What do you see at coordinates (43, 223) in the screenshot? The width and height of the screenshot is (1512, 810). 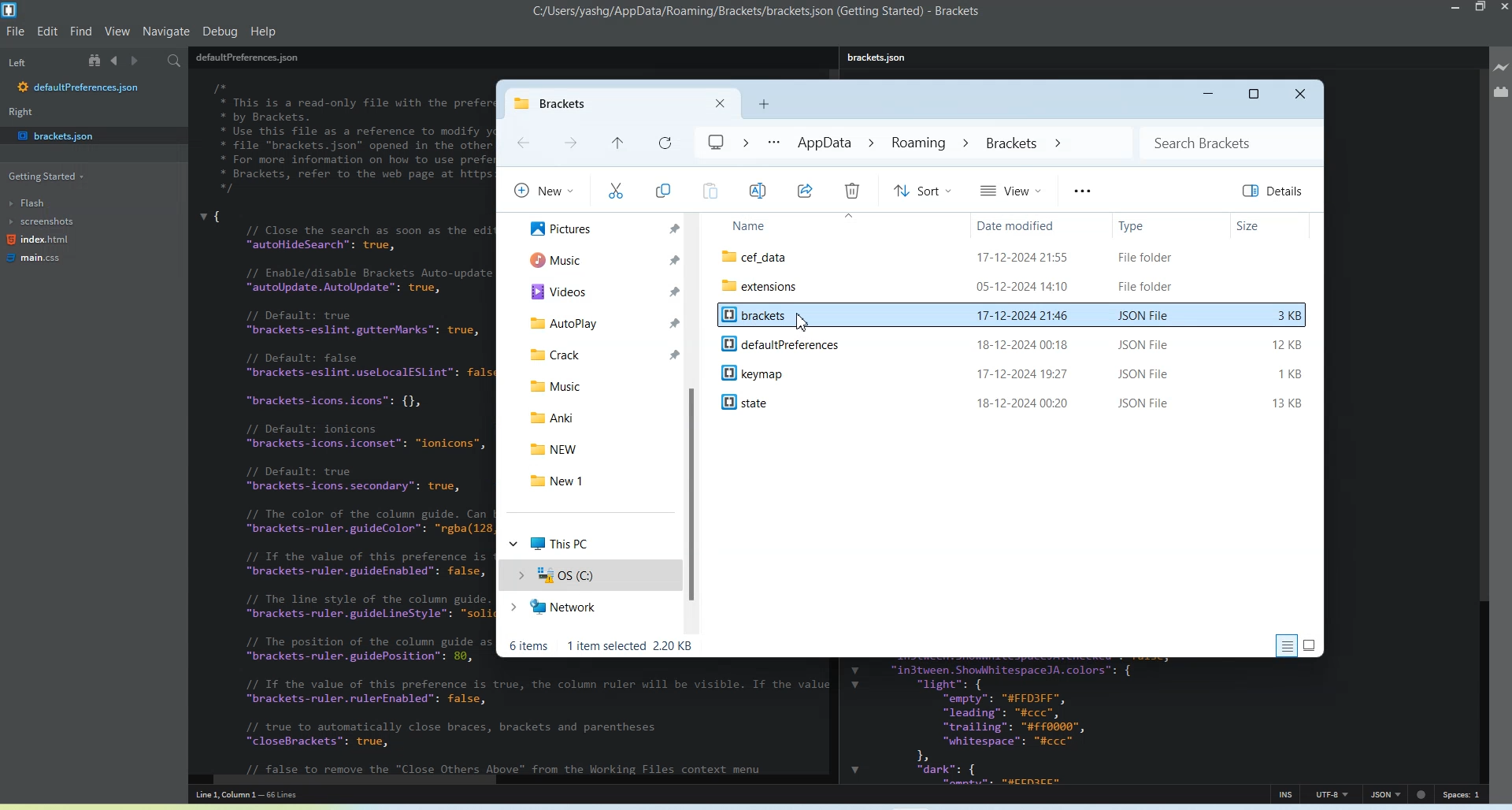 I see `screenshots` at bounding box center [43, 223].